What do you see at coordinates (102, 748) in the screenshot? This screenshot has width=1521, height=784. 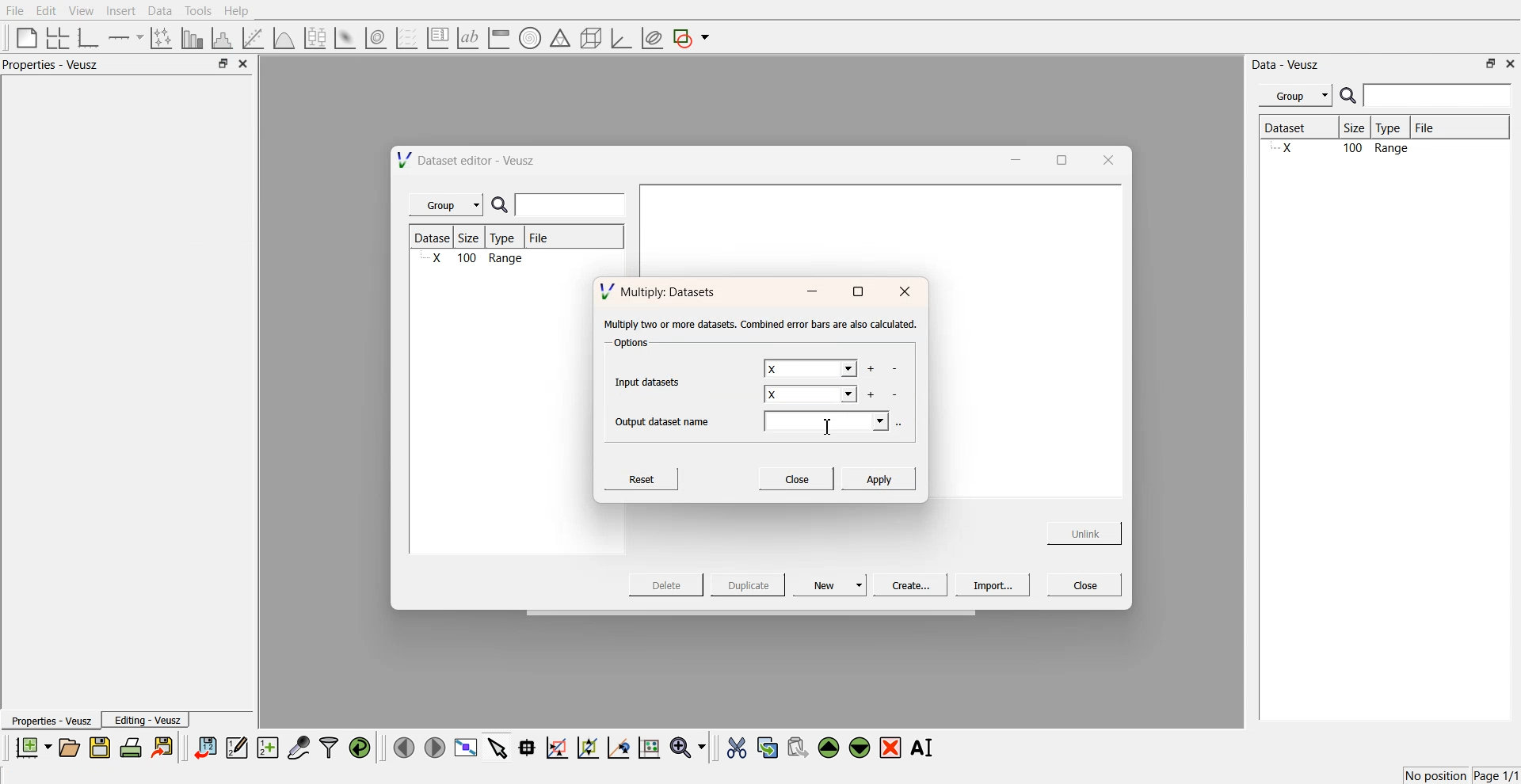 I see `save` at bounding box center [102, 748].